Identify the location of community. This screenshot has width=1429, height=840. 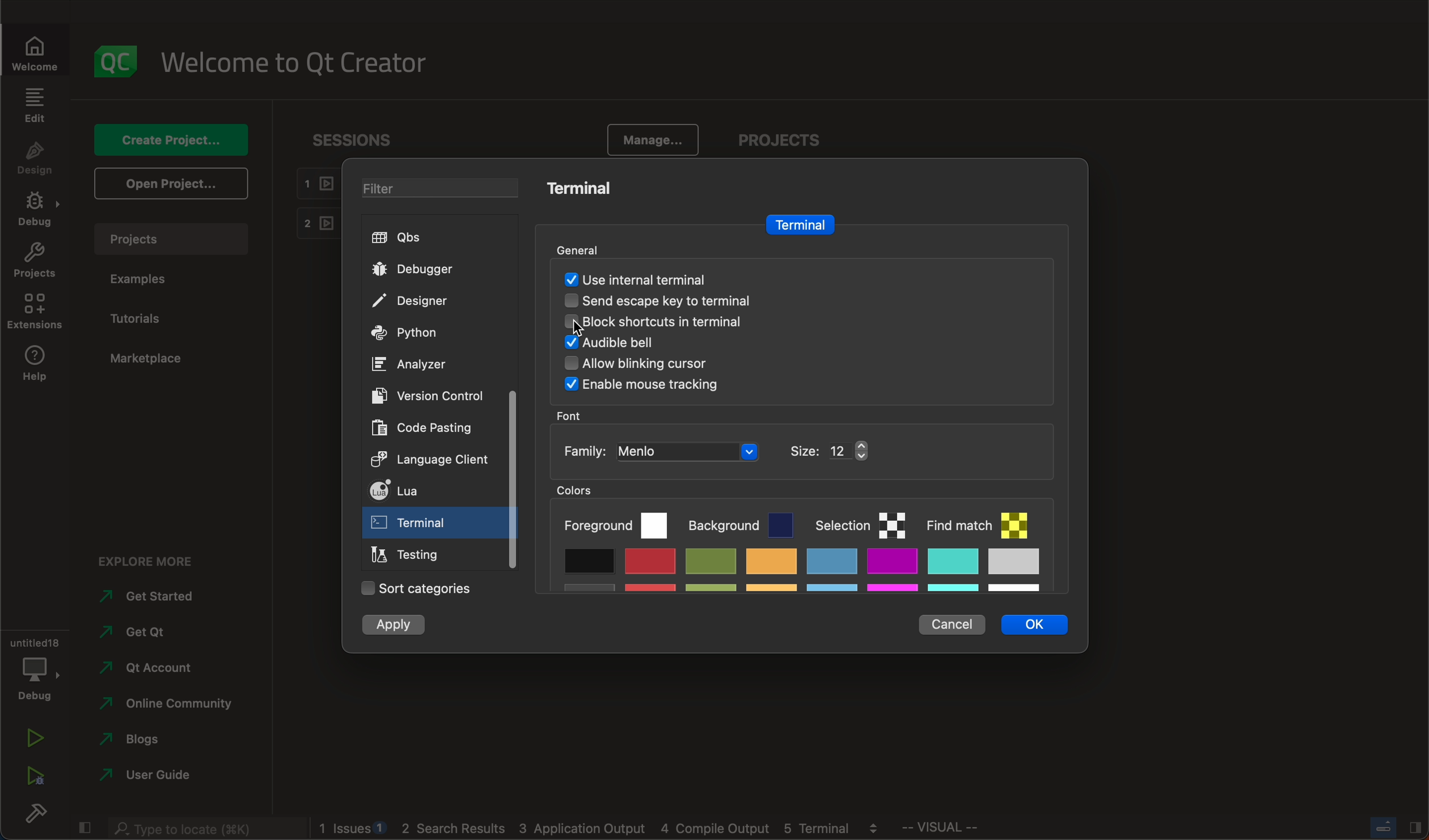
(173, 703).